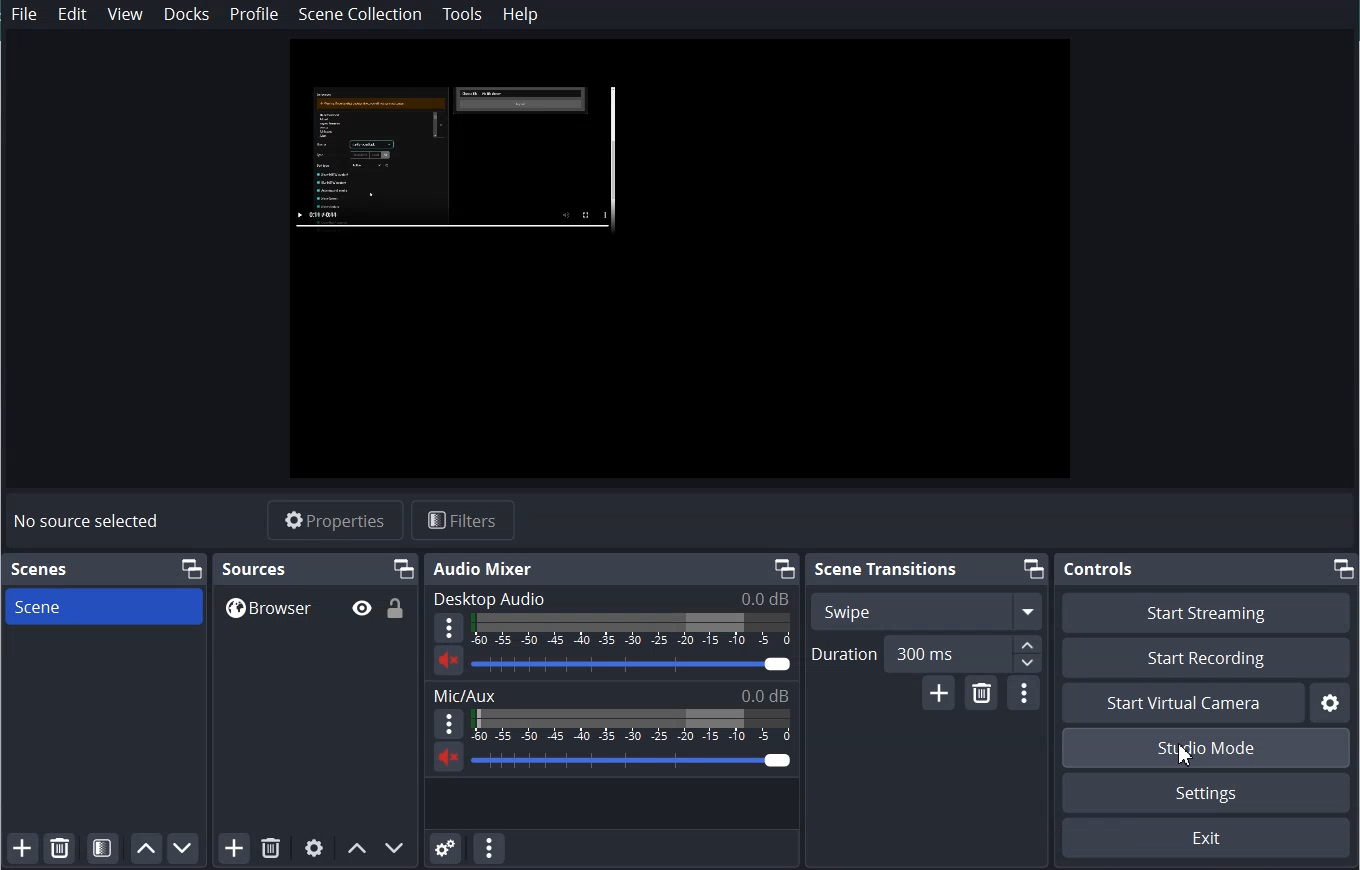 This screenshot has height=870, width=1360. Describe the element at coordinates (927, 611) in the screenshot. I see `Swipe` at that location.